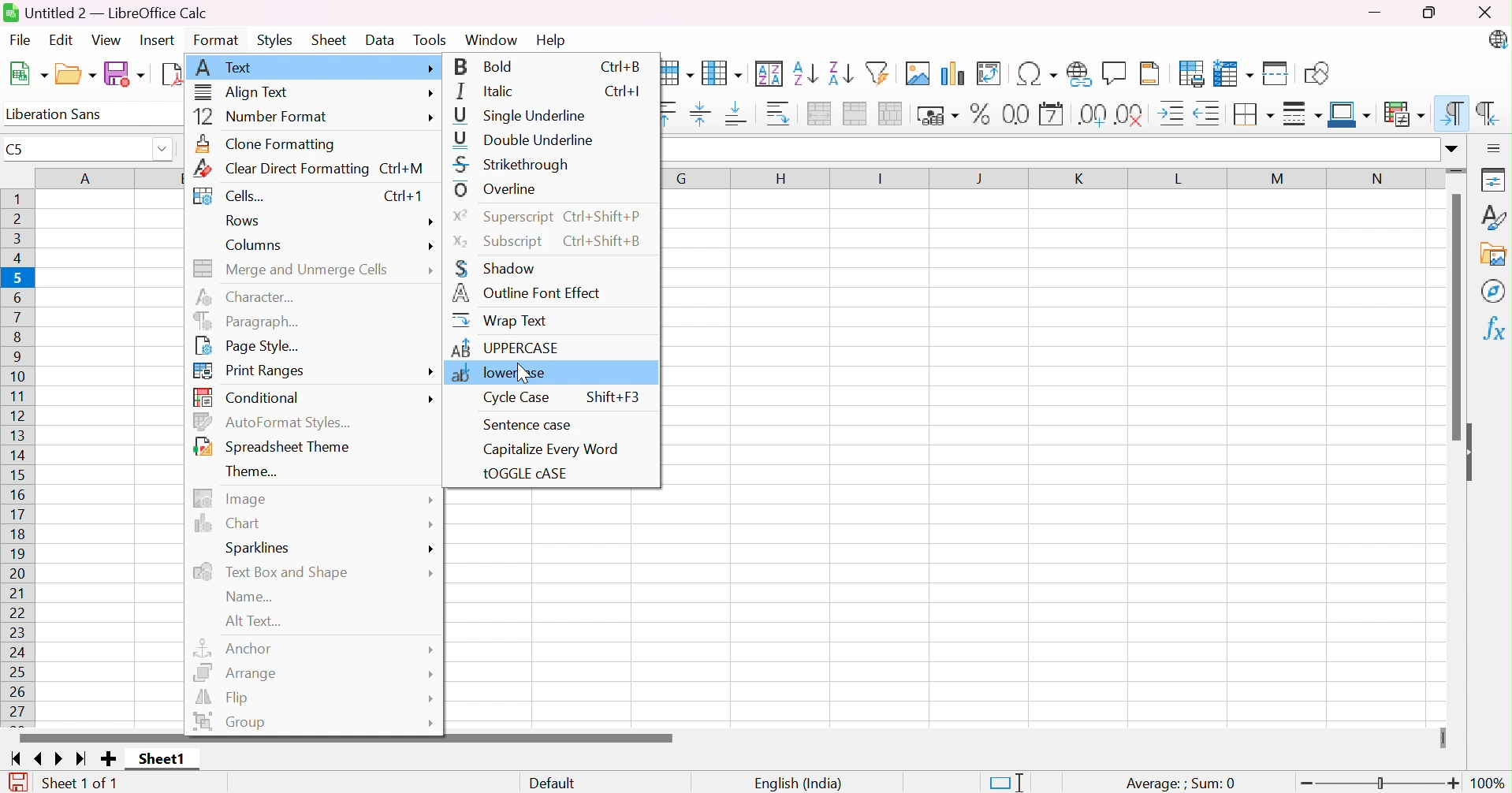 The height and width of the screenshot is (793, 1512). I want to click on Minimize, so click(1376, 12).